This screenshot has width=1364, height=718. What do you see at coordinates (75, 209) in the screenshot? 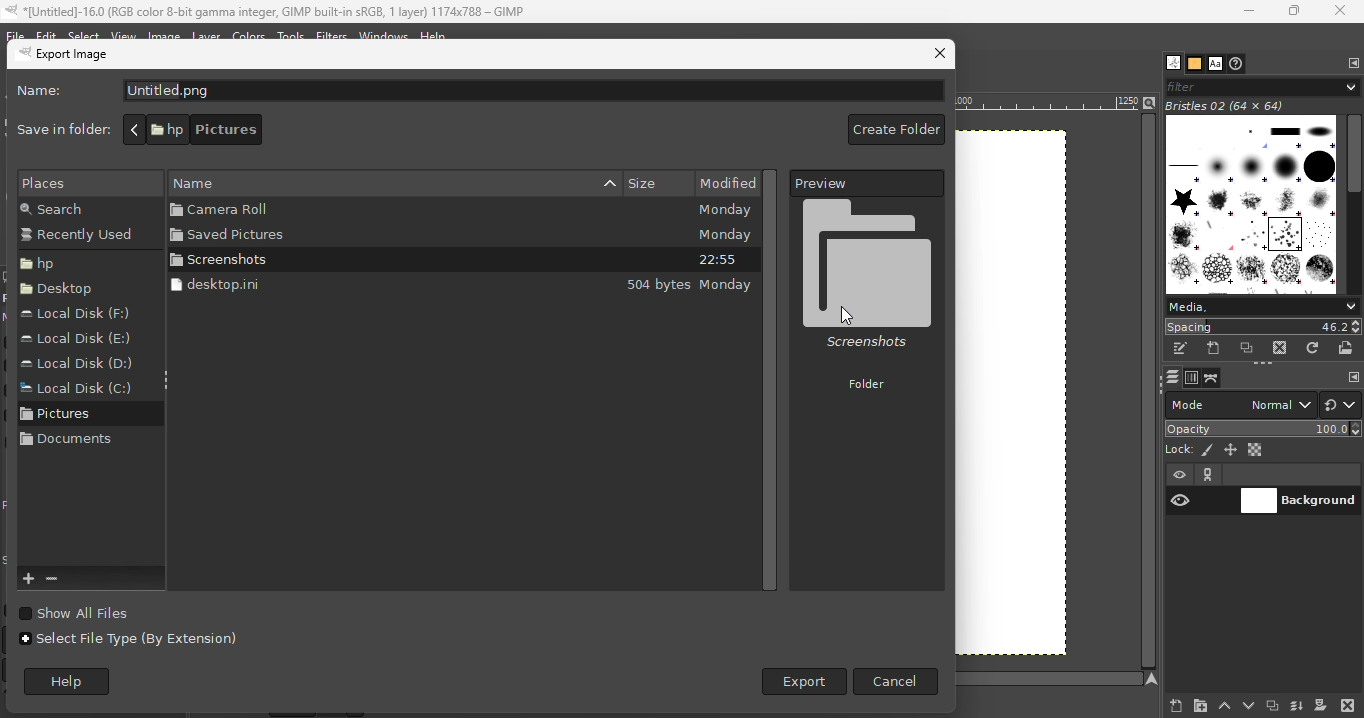
I see `search` at bounding box center [75, 209].